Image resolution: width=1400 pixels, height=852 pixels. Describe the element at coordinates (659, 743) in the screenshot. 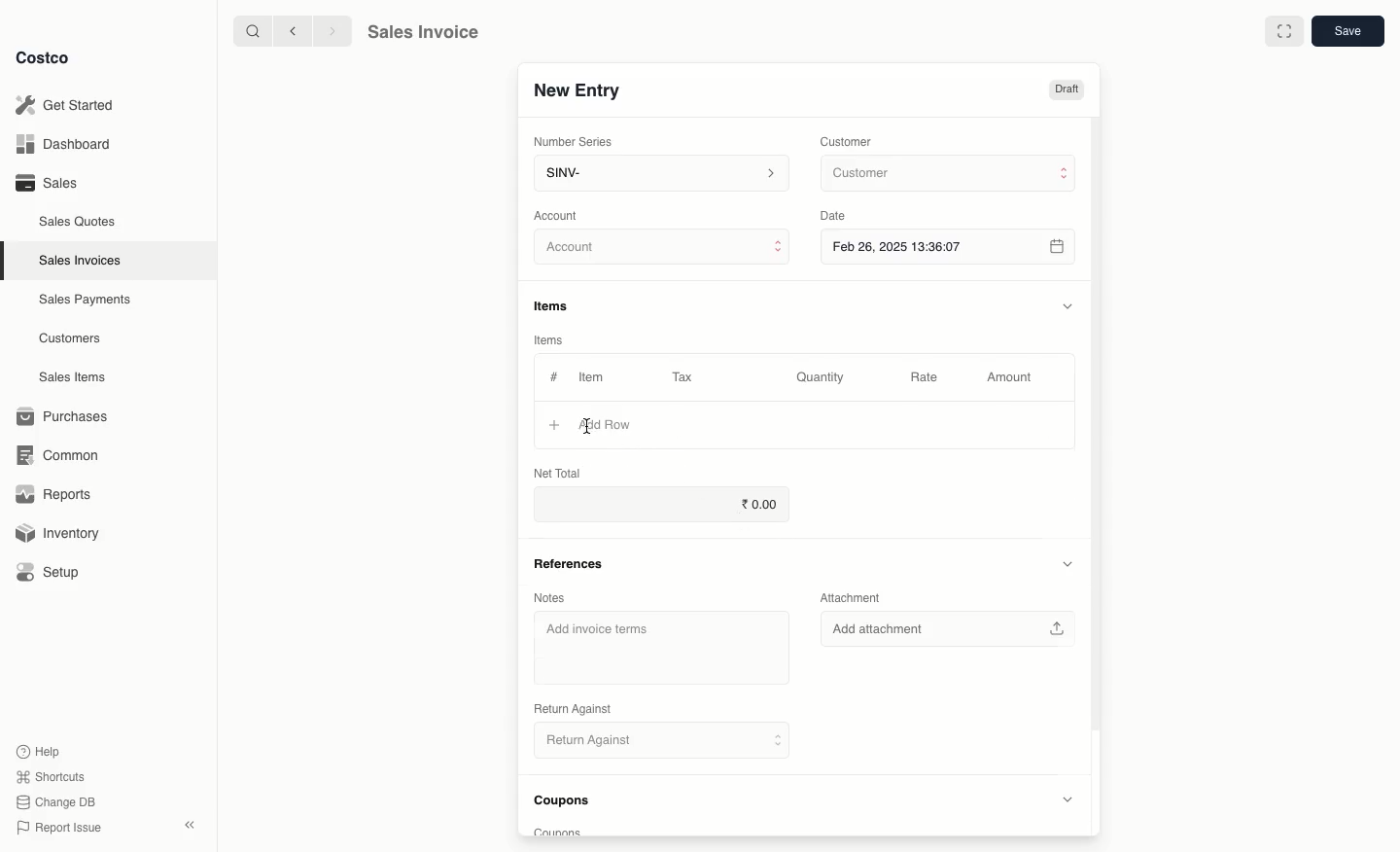

I see `Return Against` at that location.